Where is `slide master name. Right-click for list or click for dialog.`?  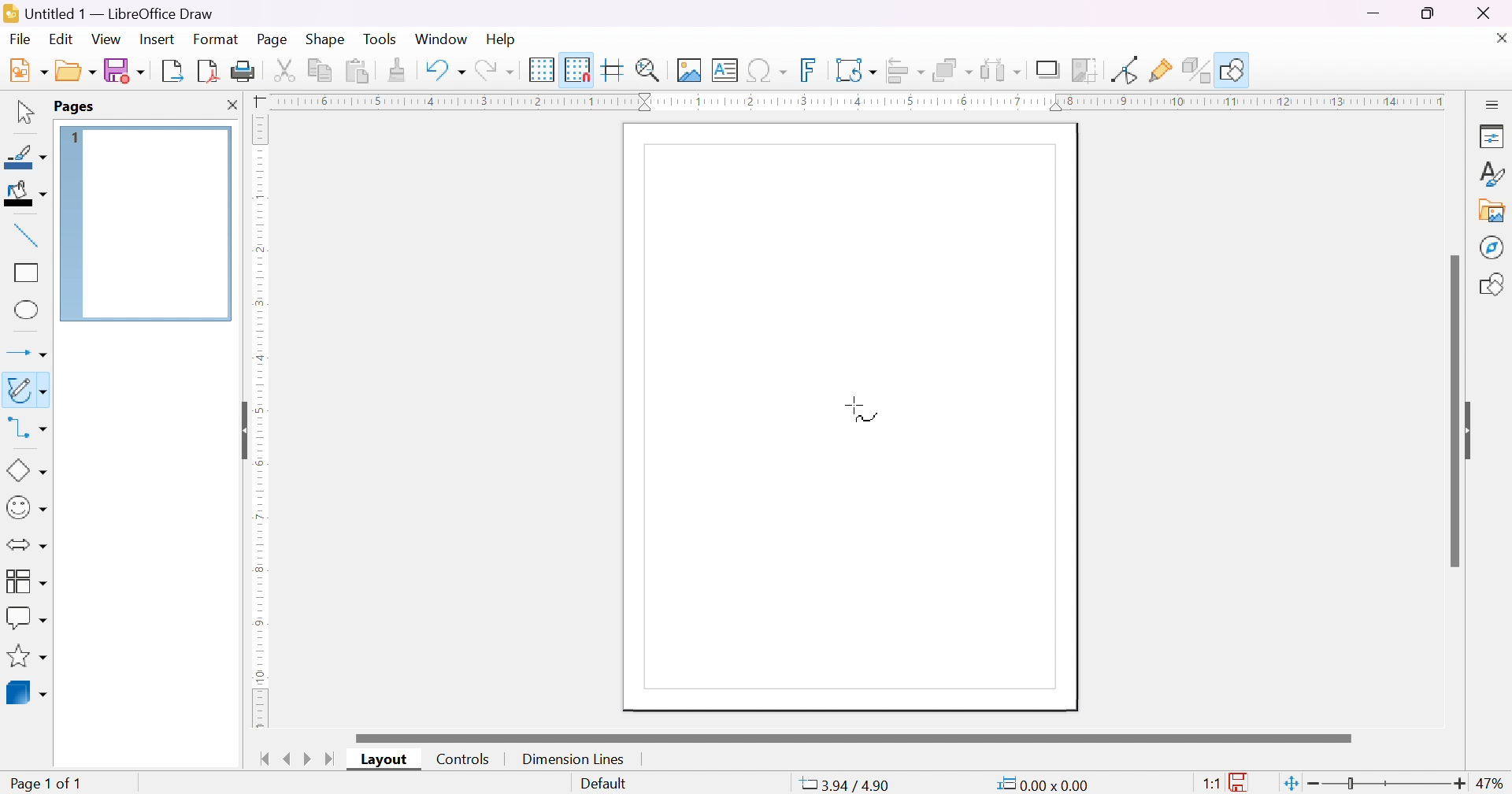
slide master name. Right-click for list or click for dialog. is located at coordinates (603, 785).